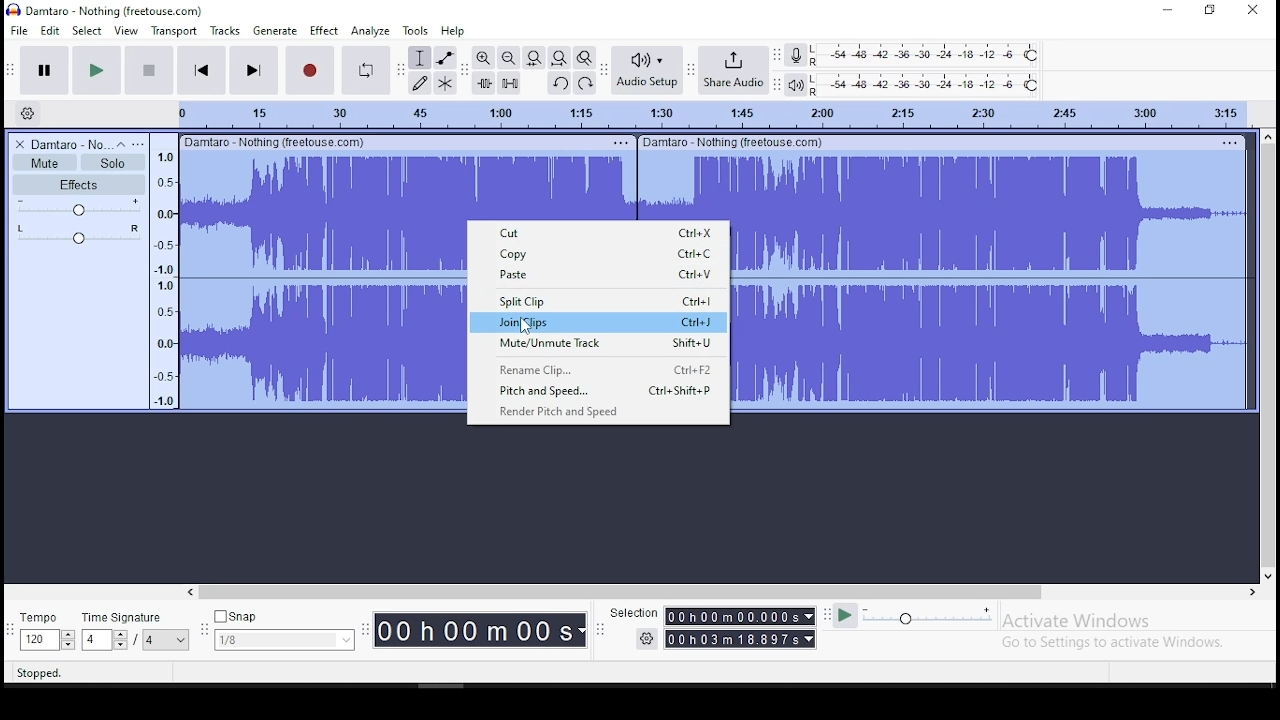 The image size is (1280, 720). What do you see at coordinates (732, 72) in the screenshot?
I see `share audio` at bounding box center [732, 72].